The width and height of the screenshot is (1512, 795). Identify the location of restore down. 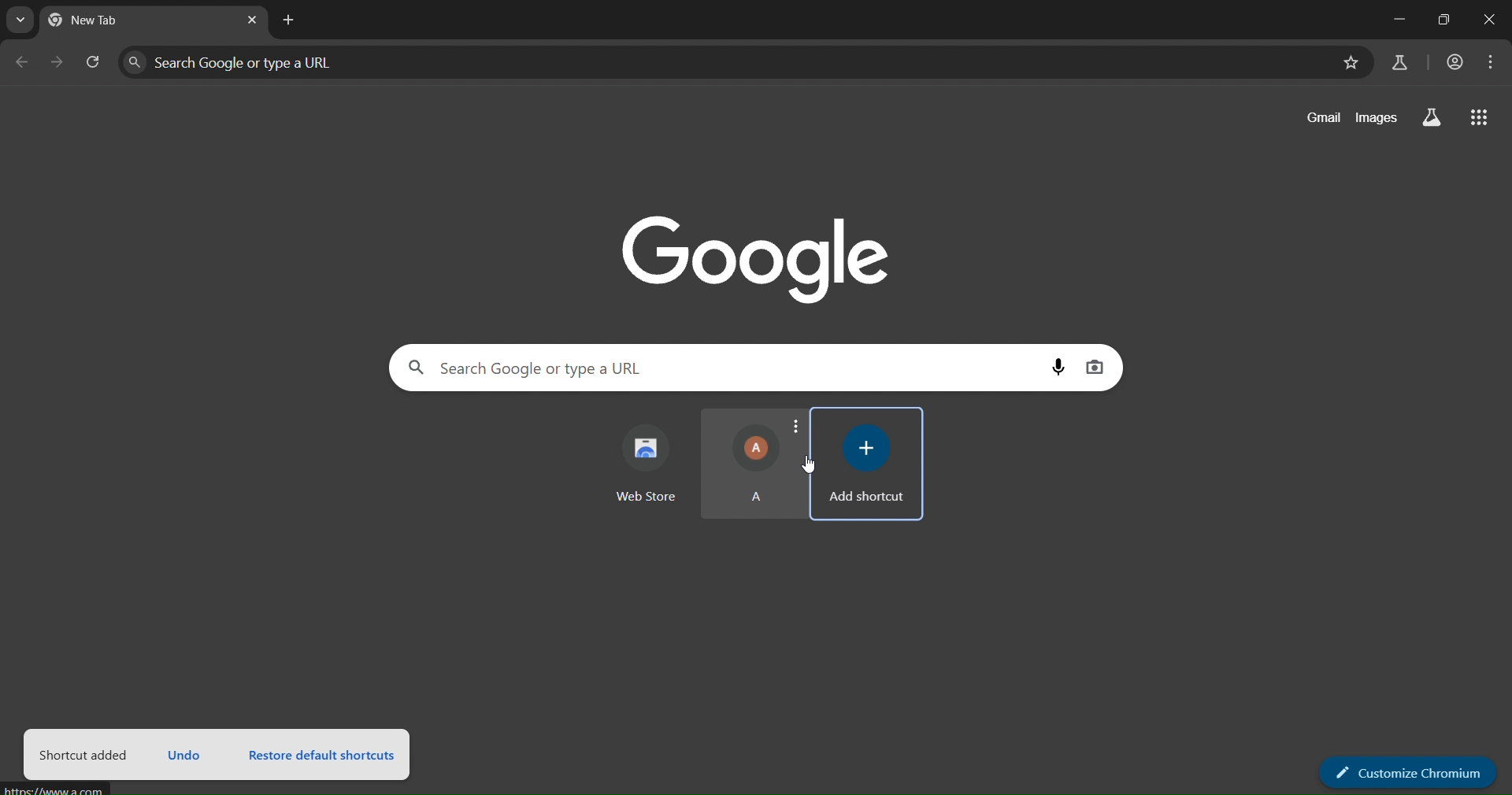
(1439, 21).